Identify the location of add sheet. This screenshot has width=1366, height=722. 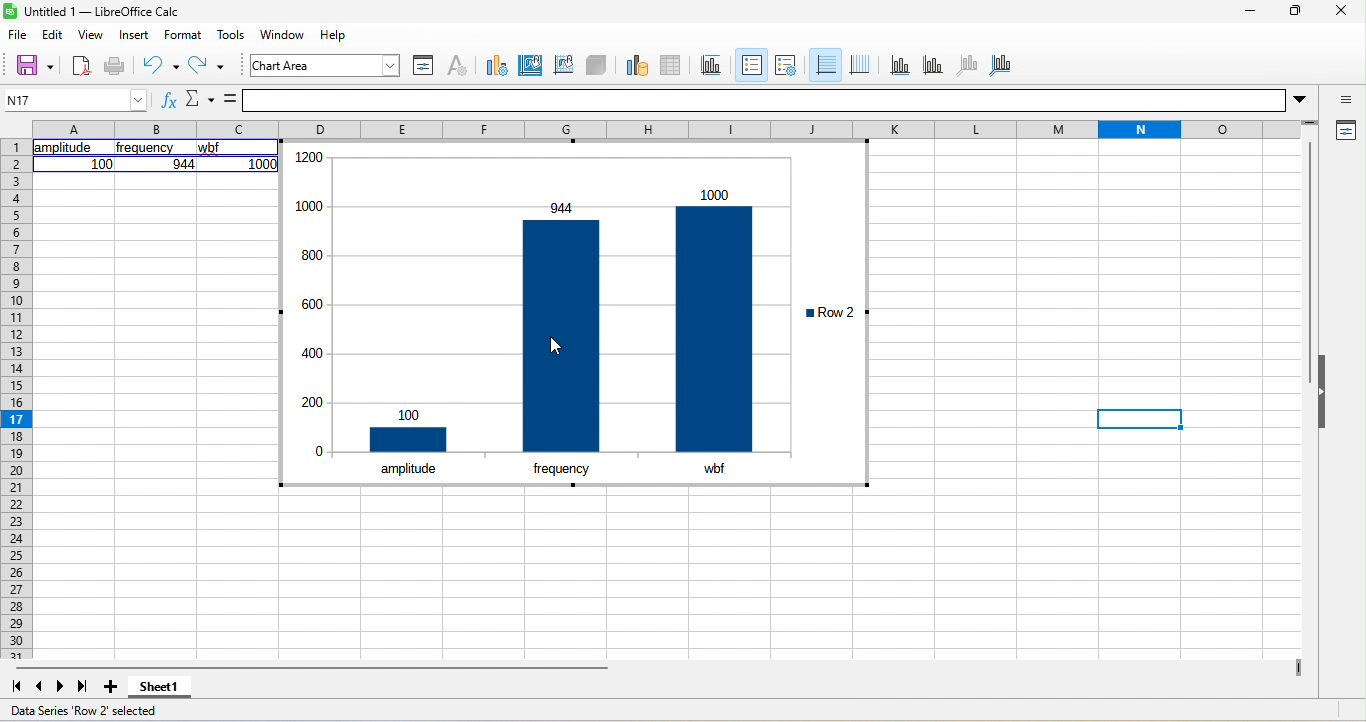
(113, 690).